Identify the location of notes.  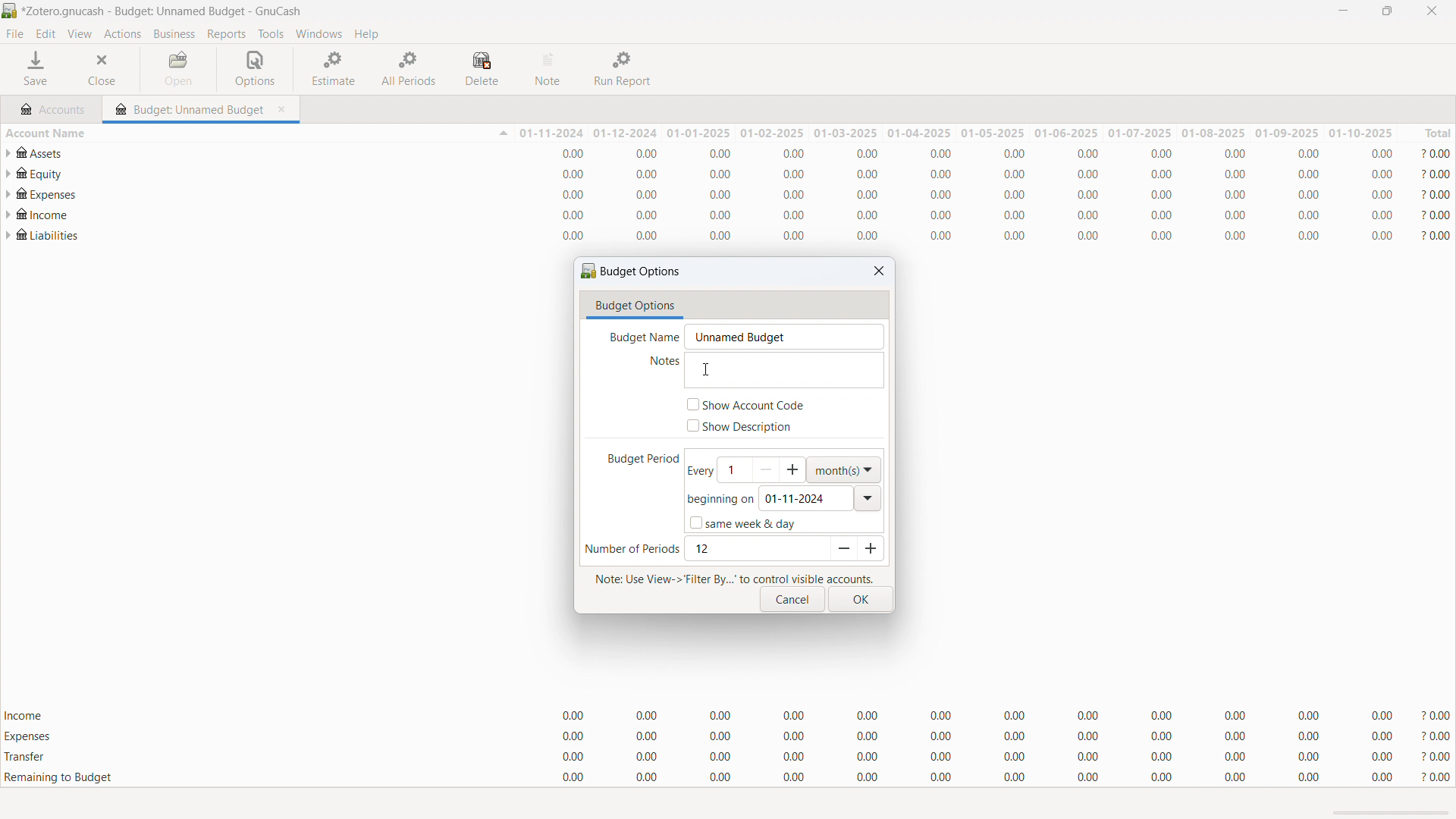
(657, 363).